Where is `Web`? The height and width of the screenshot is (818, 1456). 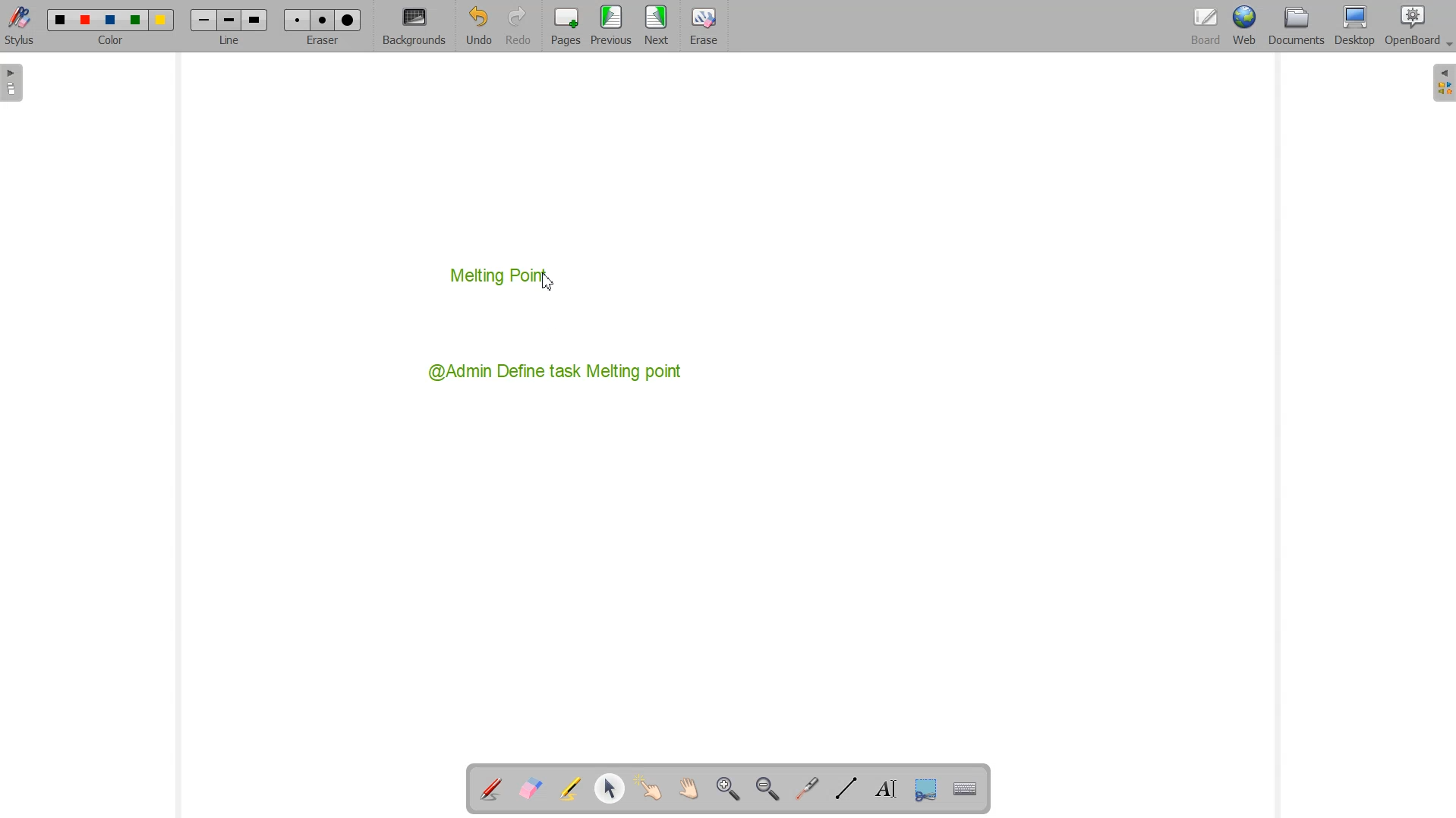
Web is located at coordinates (1243, 27).